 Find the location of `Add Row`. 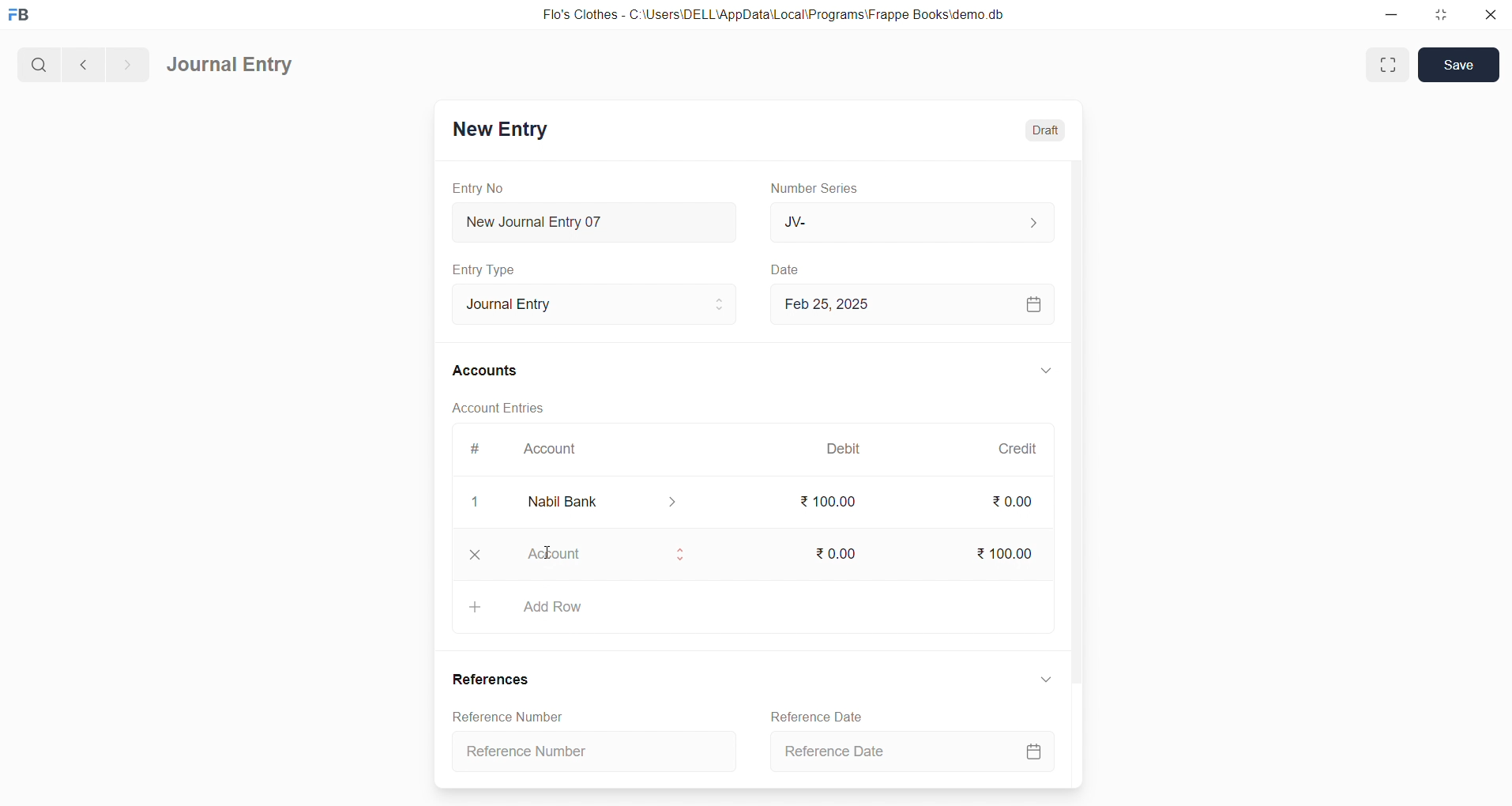

Add Row is located at coordinates (758, 605).